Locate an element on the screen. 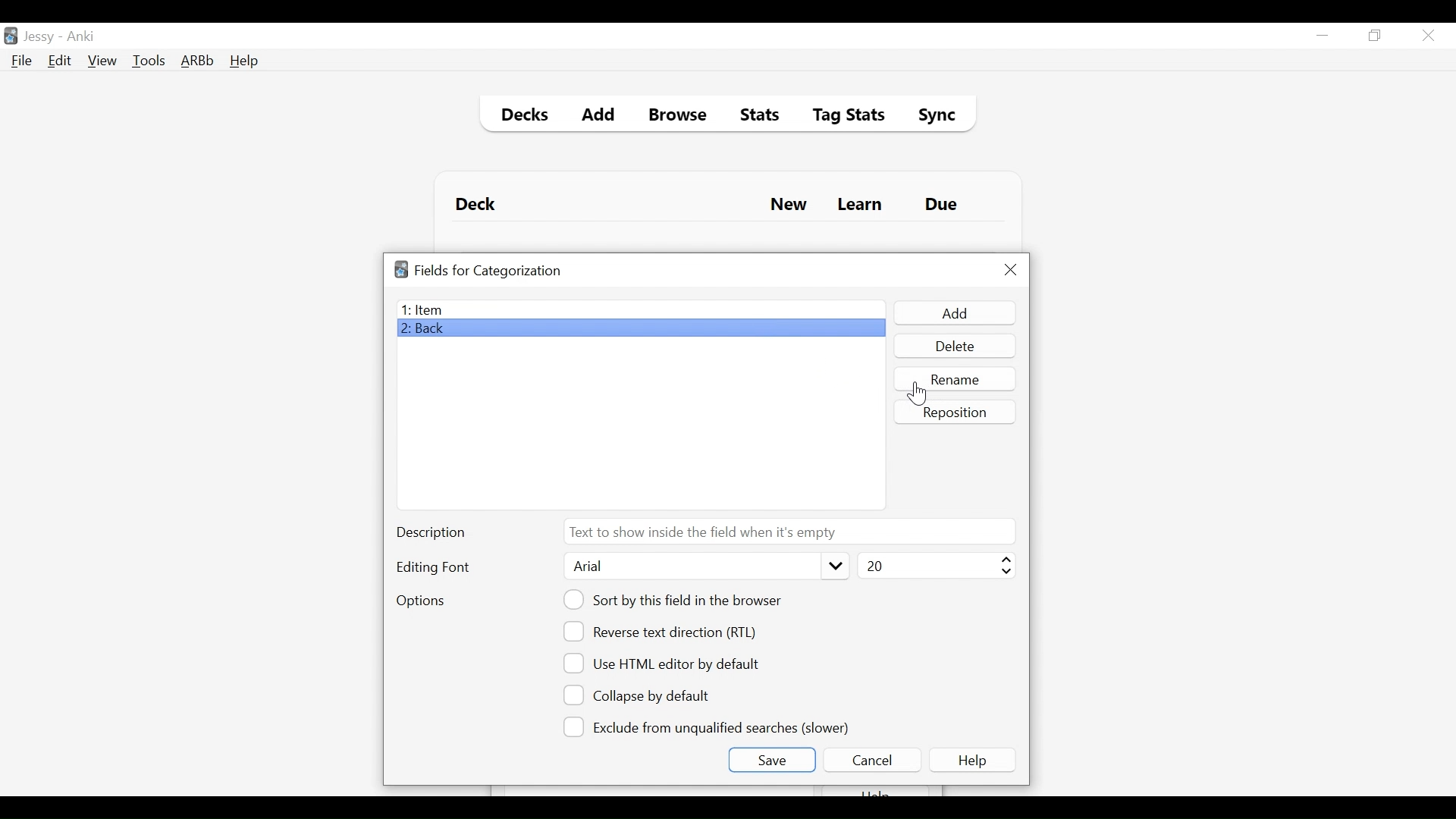 This screenshot has height=819, width=1456. Delete is located at coordinates (954, 347).